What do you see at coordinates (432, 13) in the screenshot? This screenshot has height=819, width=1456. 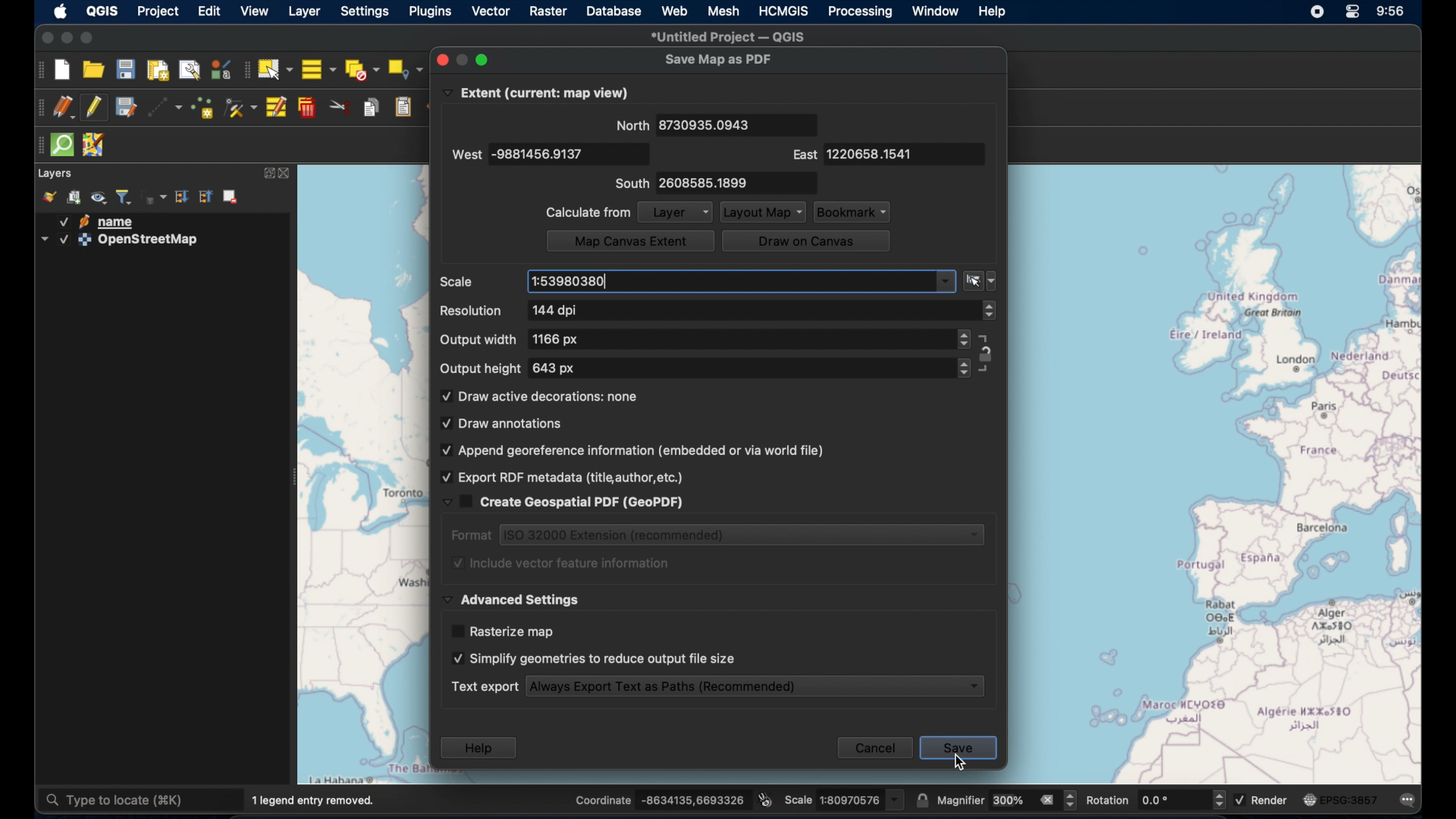 I see `plugins` at bounding box center [432, 13].